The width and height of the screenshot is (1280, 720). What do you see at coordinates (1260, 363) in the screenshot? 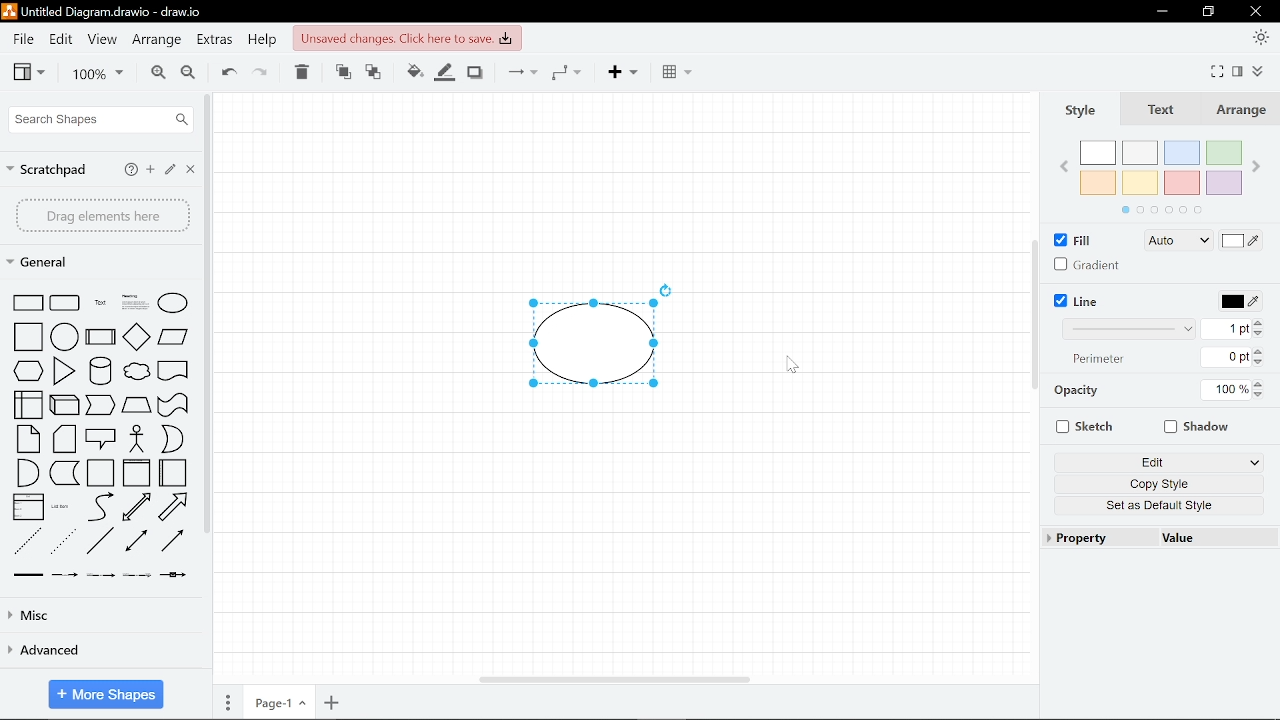
I see `Decrease perimeter` at bounding box center [1260, 363].